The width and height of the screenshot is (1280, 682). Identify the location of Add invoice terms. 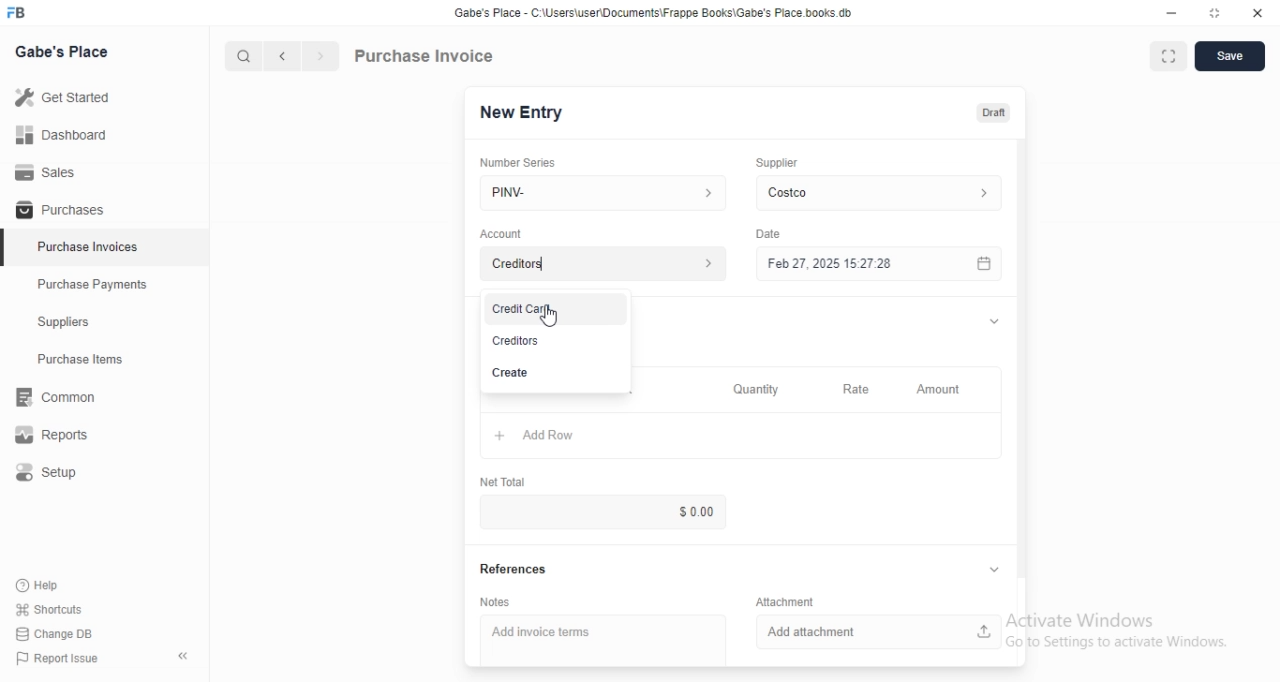
(603, 640).